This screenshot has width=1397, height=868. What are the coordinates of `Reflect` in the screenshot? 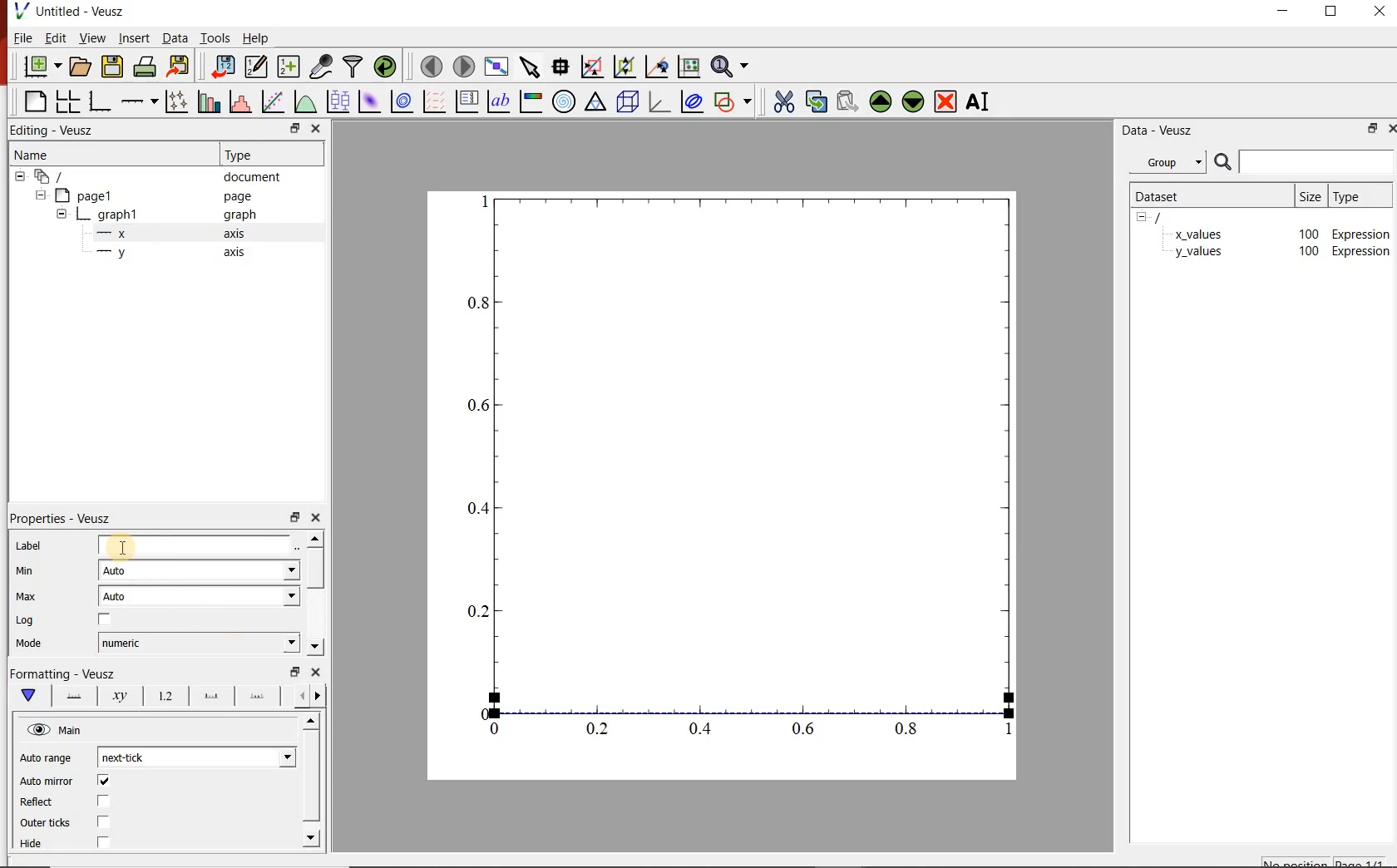 It's located at (46, 803).